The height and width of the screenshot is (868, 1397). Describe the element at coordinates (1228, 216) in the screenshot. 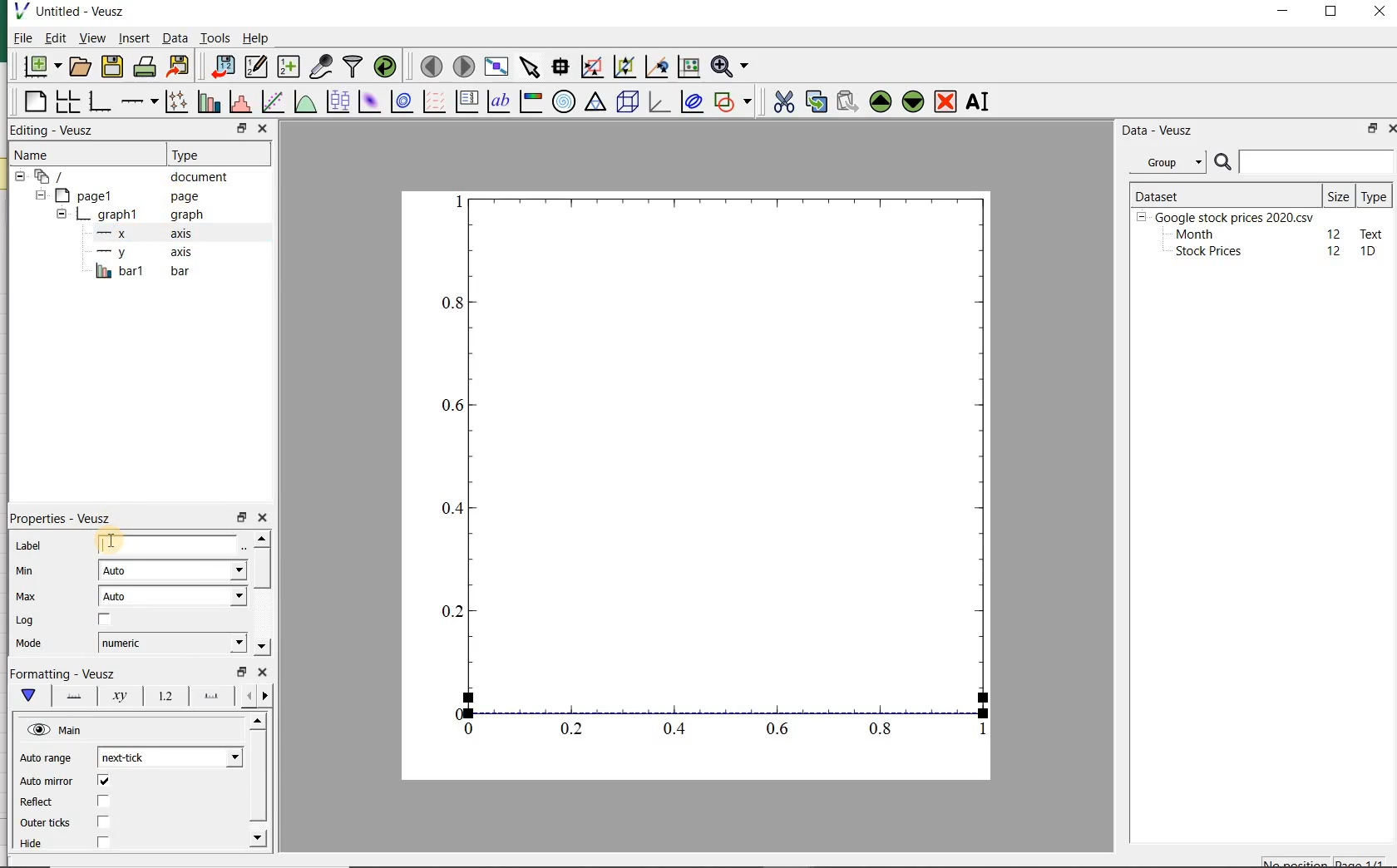

I see `Google stock prices 2020.csv` at that location.